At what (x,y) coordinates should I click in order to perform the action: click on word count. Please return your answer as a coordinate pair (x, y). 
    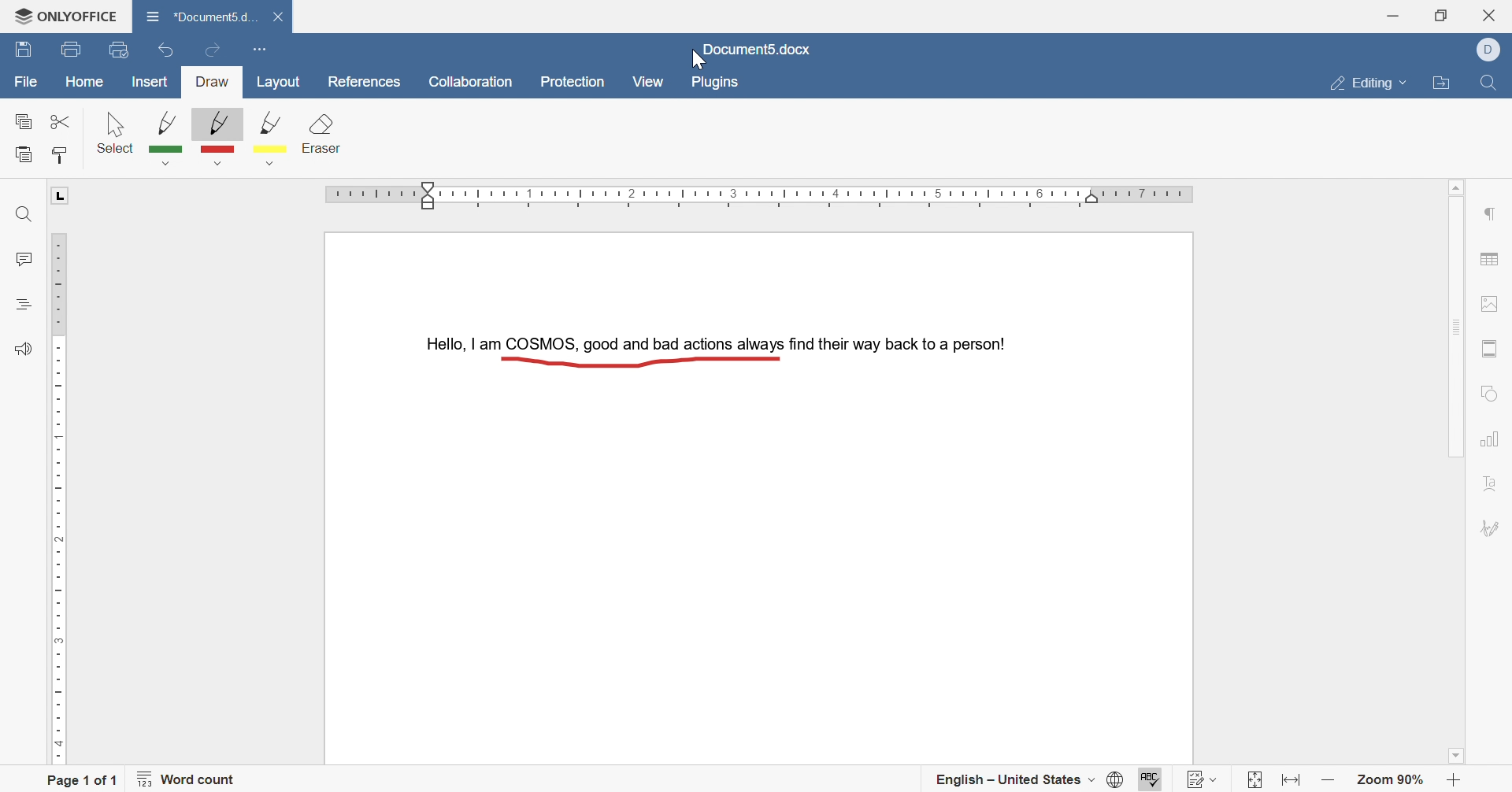
    Looking at the image, I should click on (192, 782).